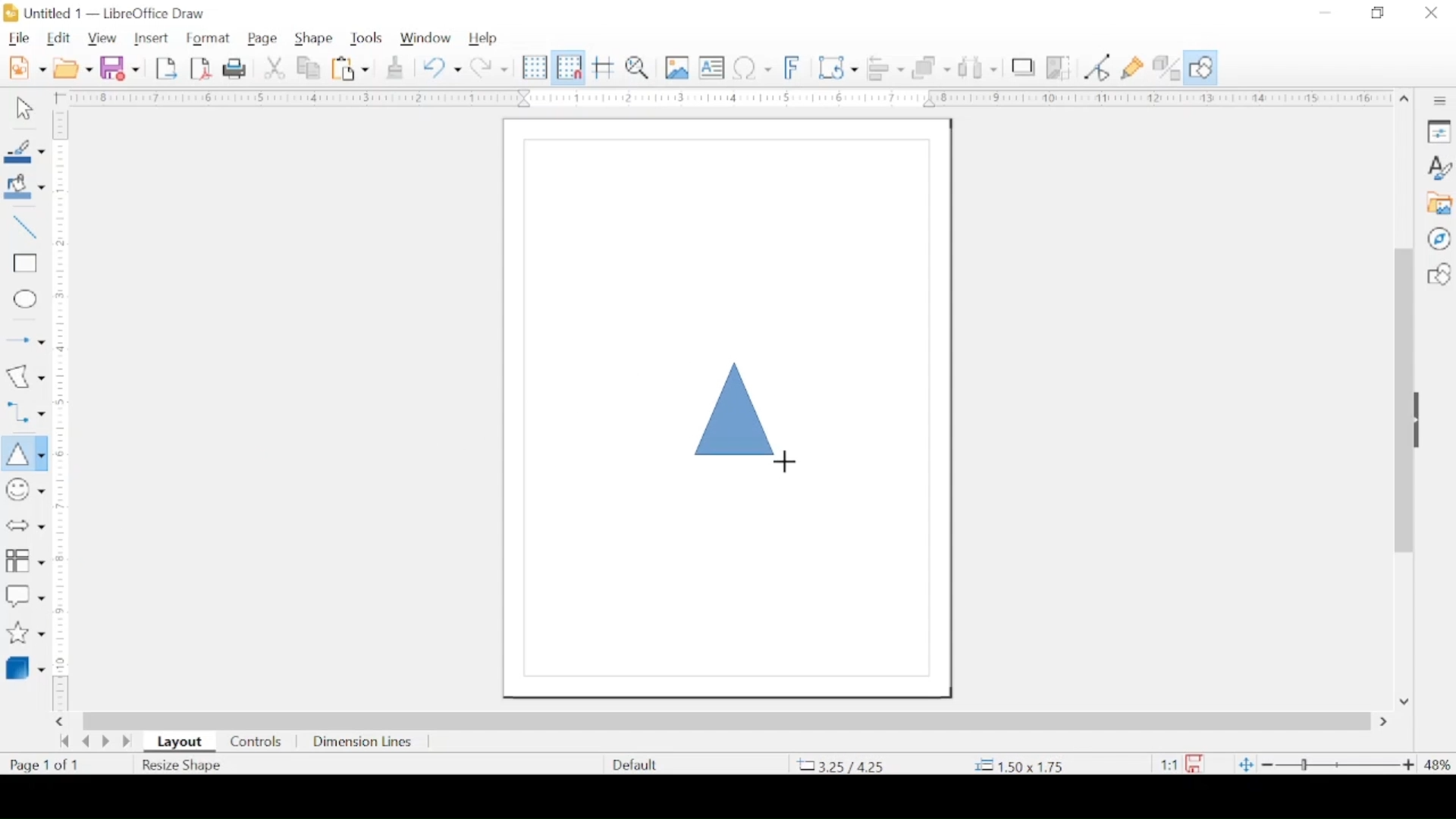 This screenshot has height=819, width=1456. What do you see at coordinates (183, 767) in the screenshot?
I see `resize shape` at bounding box center [183, 767].